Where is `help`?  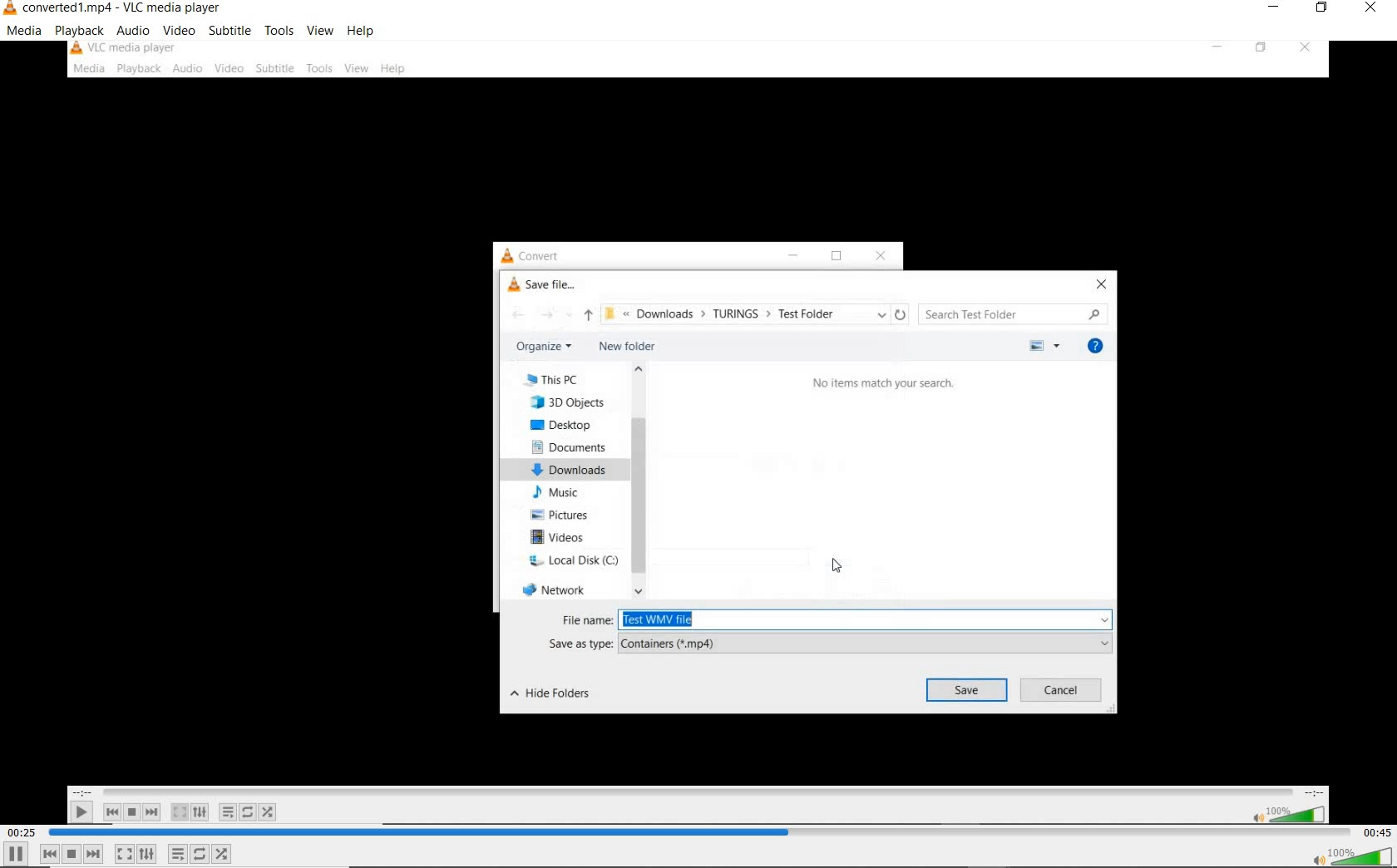
help is located at coordinates (363, 31).